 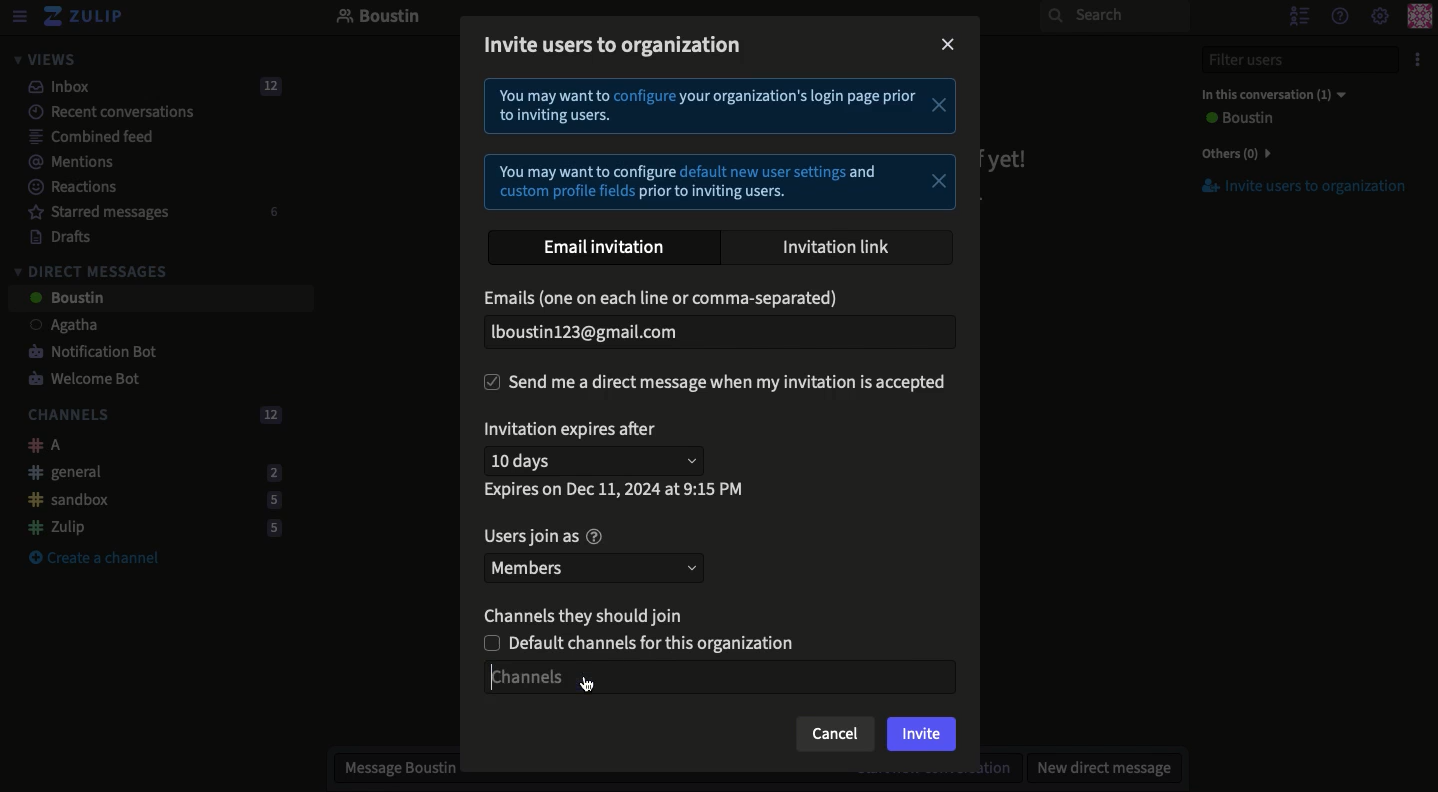 What do you see at coordinates (69, 189) in the screenshot?
I see `Reactions` at bounding box center [69, 189].